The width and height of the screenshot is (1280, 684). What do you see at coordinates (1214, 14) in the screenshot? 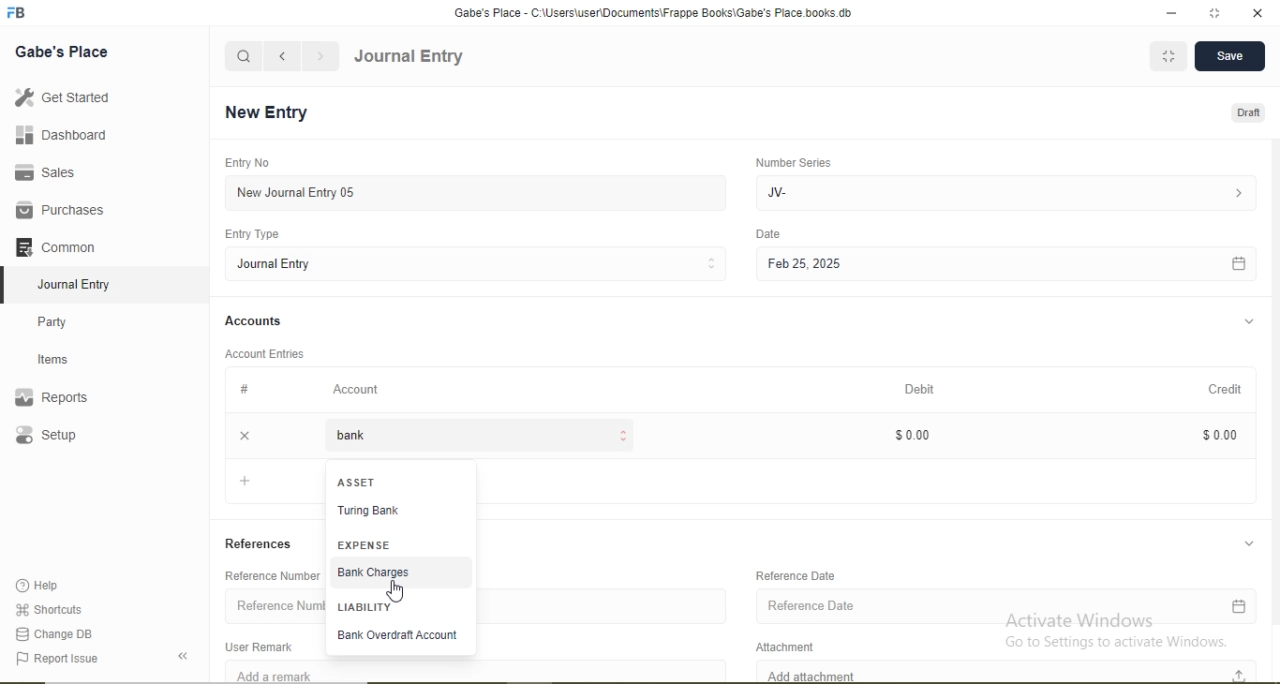
I see `resize` at bounding box center [1214, 14].